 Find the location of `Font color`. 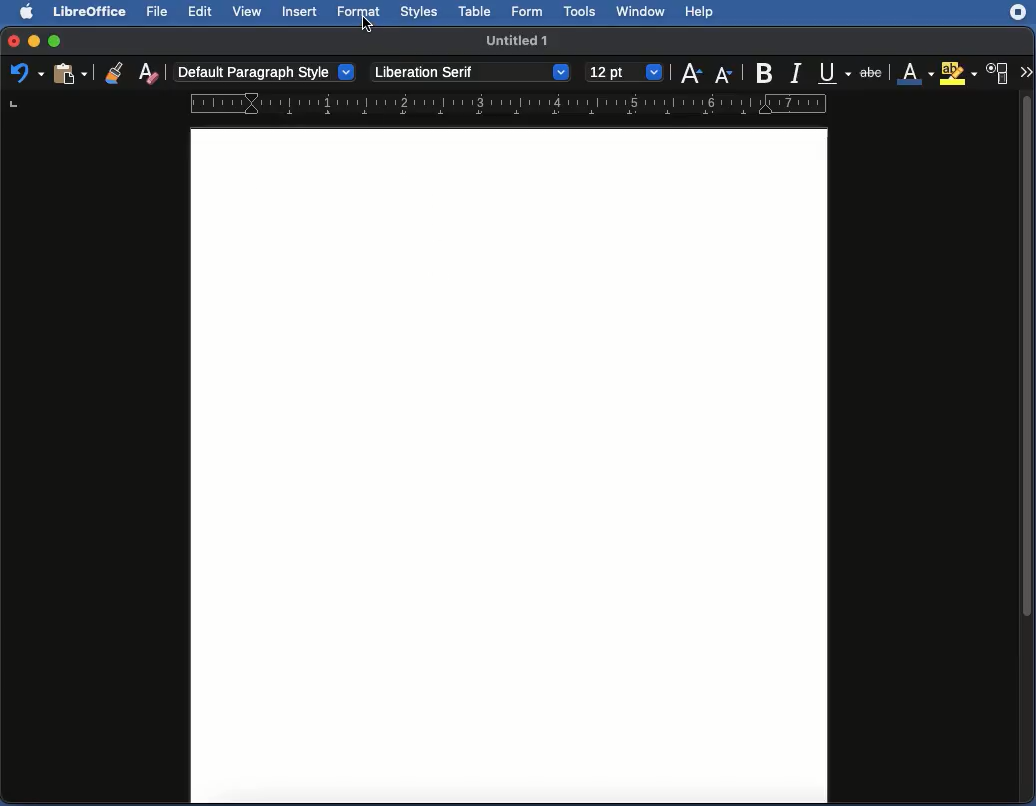

Font color is located at coordinates (914, 70).